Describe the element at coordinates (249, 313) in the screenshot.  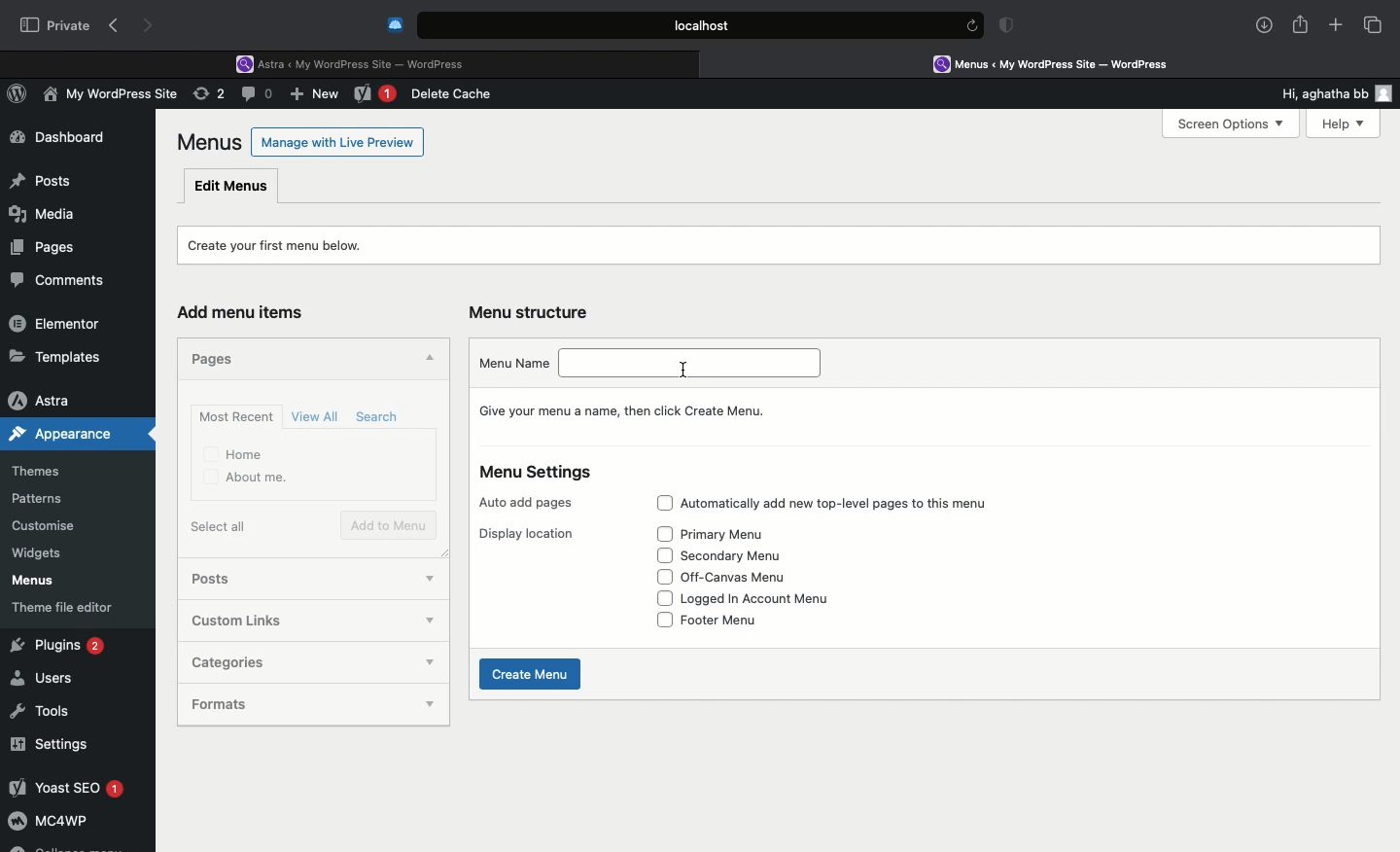
I see `Add menu items` at that location.